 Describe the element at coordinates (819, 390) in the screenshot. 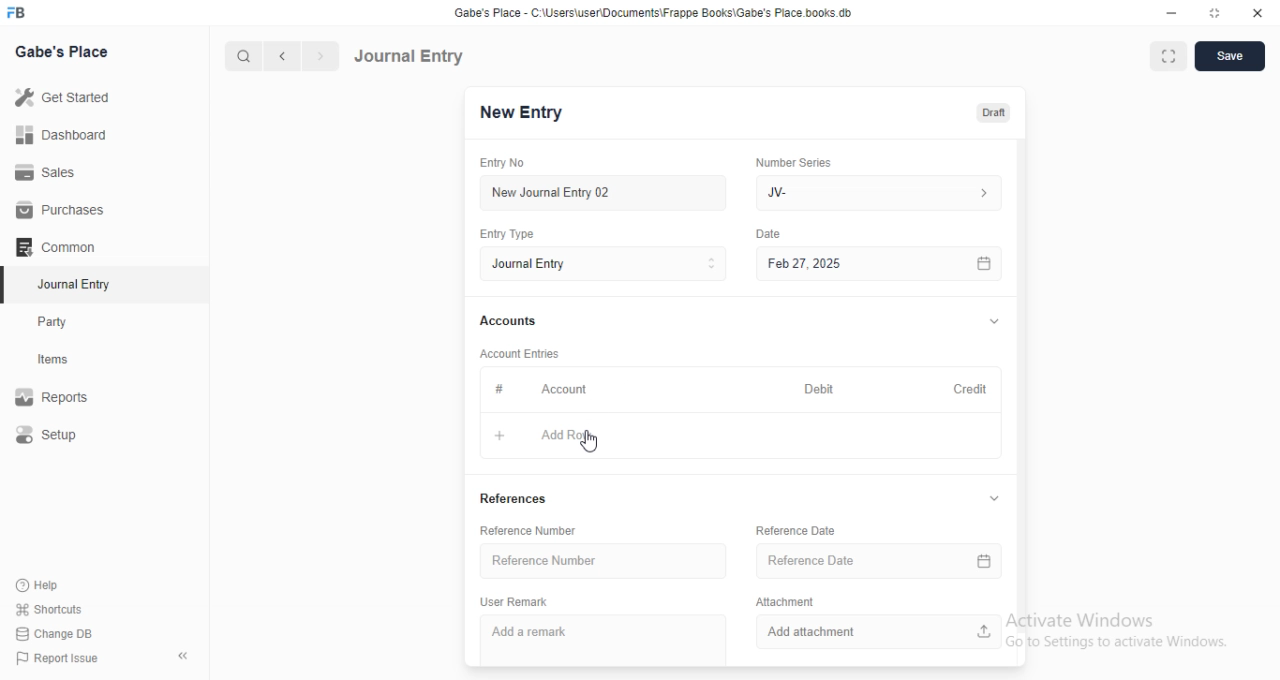

I see `Debit` at that location.